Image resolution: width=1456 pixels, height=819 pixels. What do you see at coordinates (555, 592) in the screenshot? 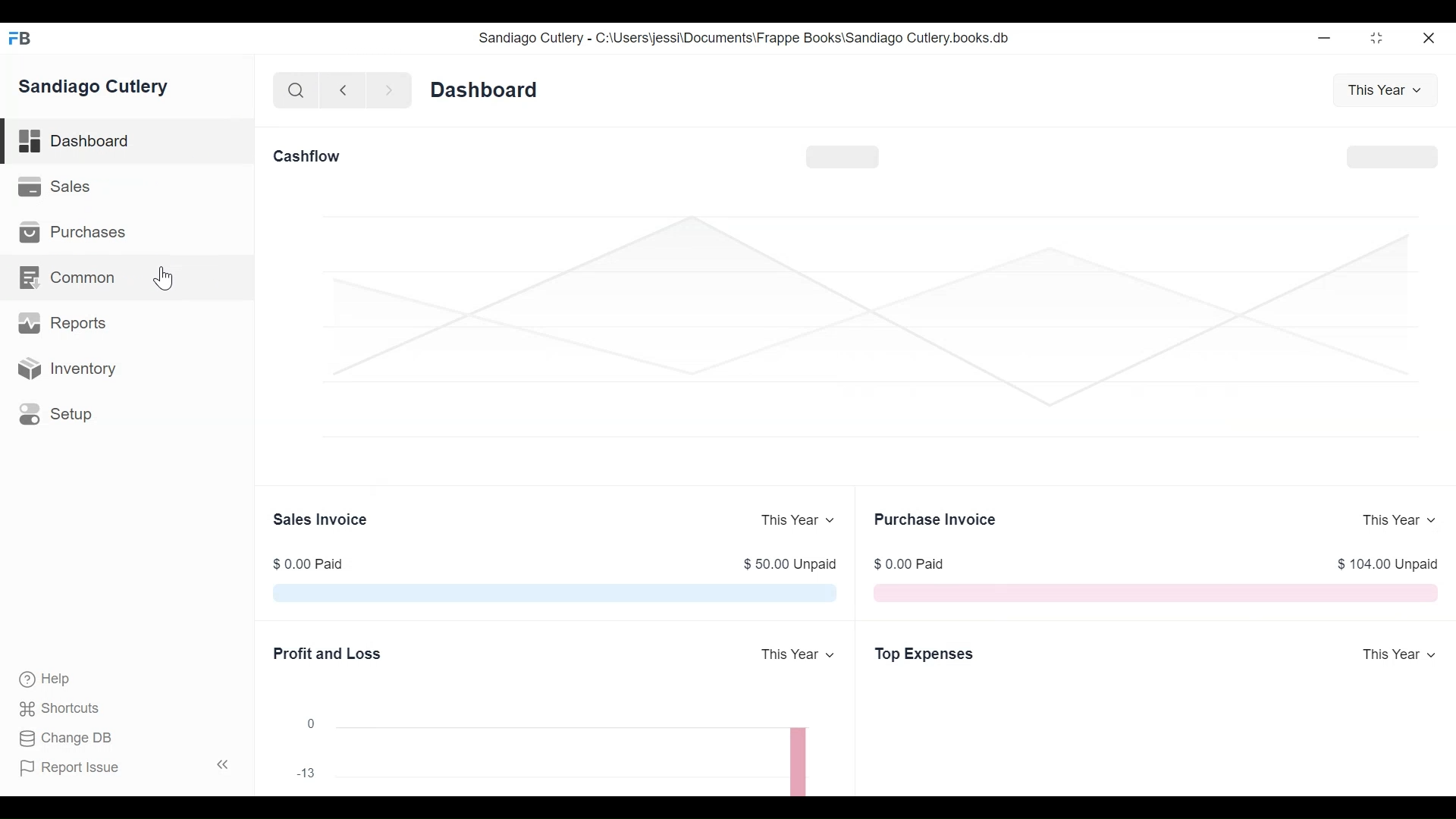
I see `The Sales Invoice chart shows the total outstanding amount which is pending from Sandiago Cutlery customers for your sales` at bounding box center [555, 592].